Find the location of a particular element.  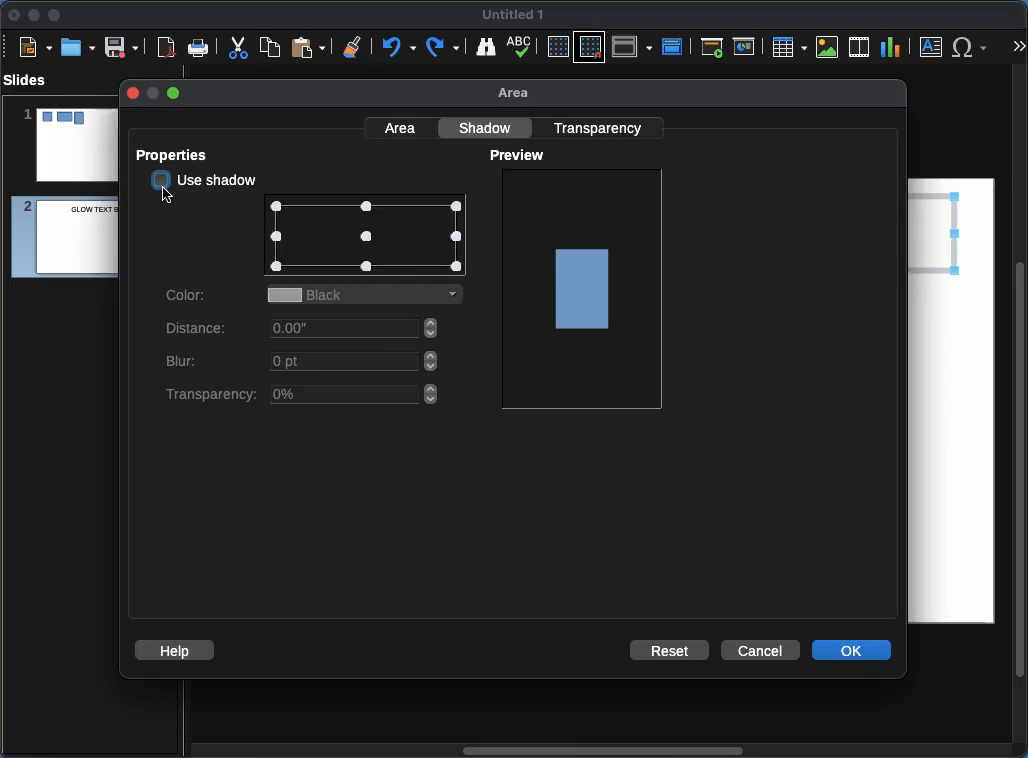

maximize is located at coordinates (175, 94).